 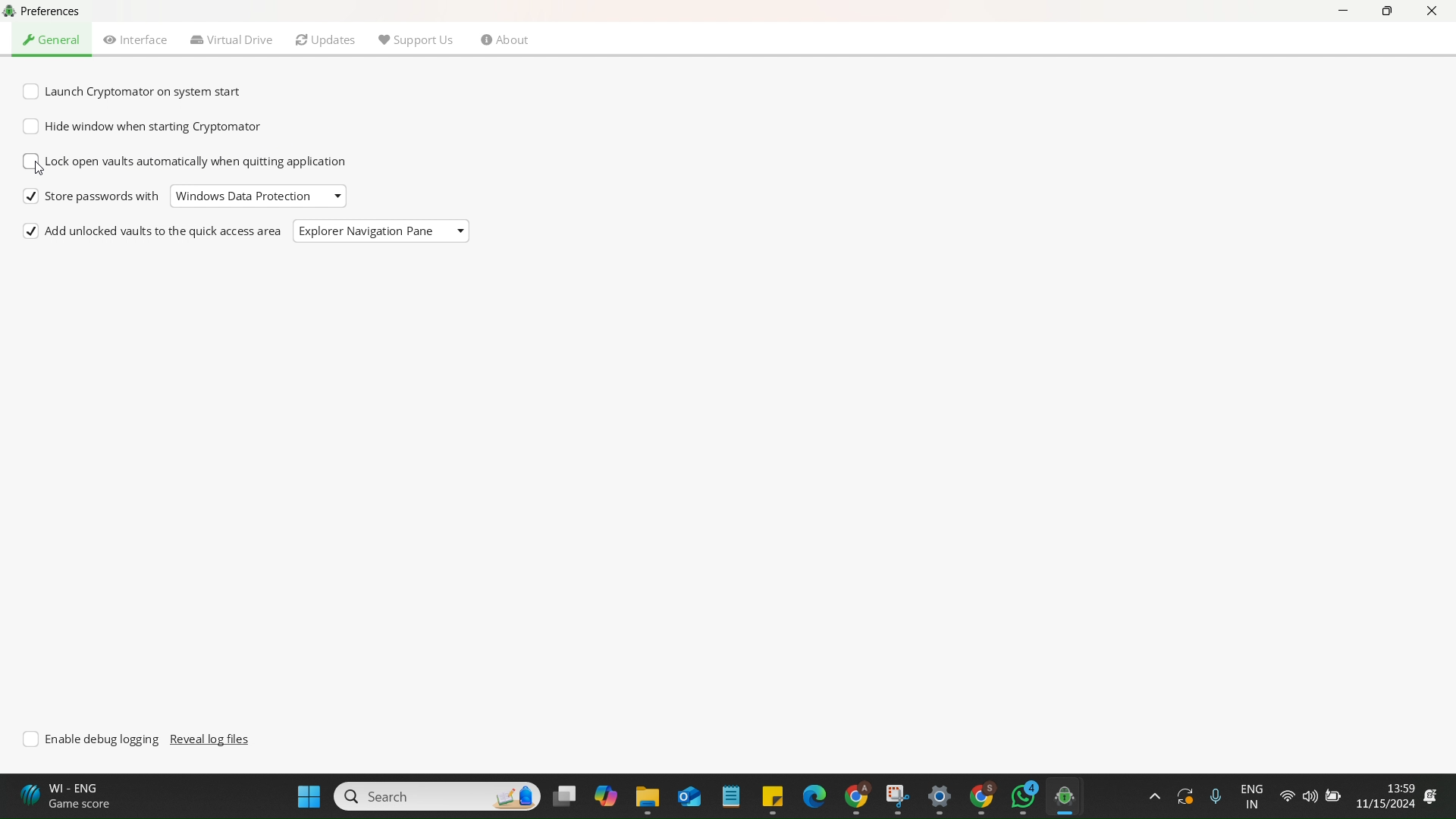 What do you see at coordinates (212, 739) in the screenshot?
I see `Reveal Log Files` at bounding box center [212, 739].